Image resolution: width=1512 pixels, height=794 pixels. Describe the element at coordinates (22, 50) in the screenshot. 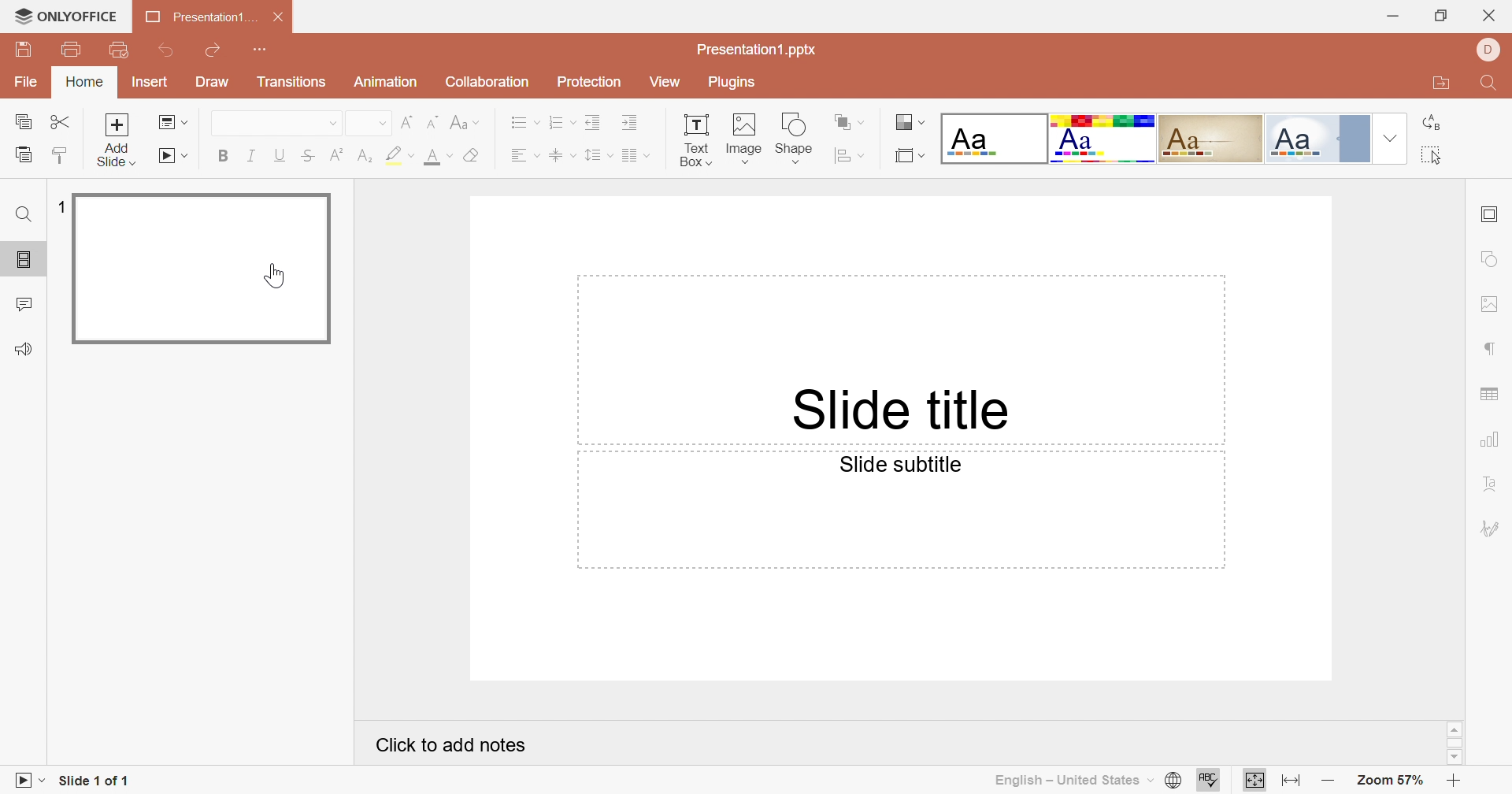

I see `Save` at that location.